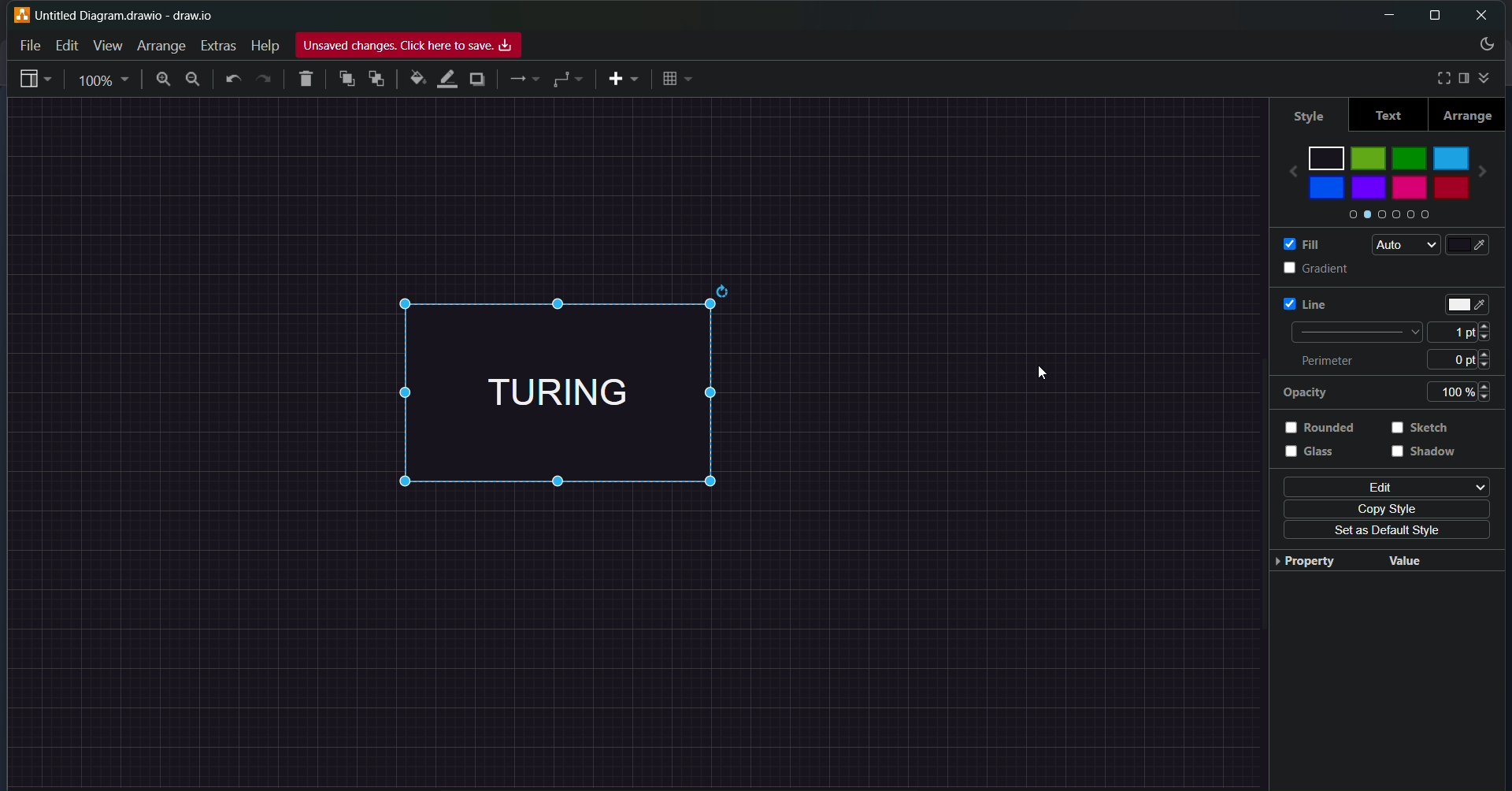 This screenshot has height=791, width=1512. Describe the element at coordinates (20, 14) in the screenshot. I see `logo` at that location.